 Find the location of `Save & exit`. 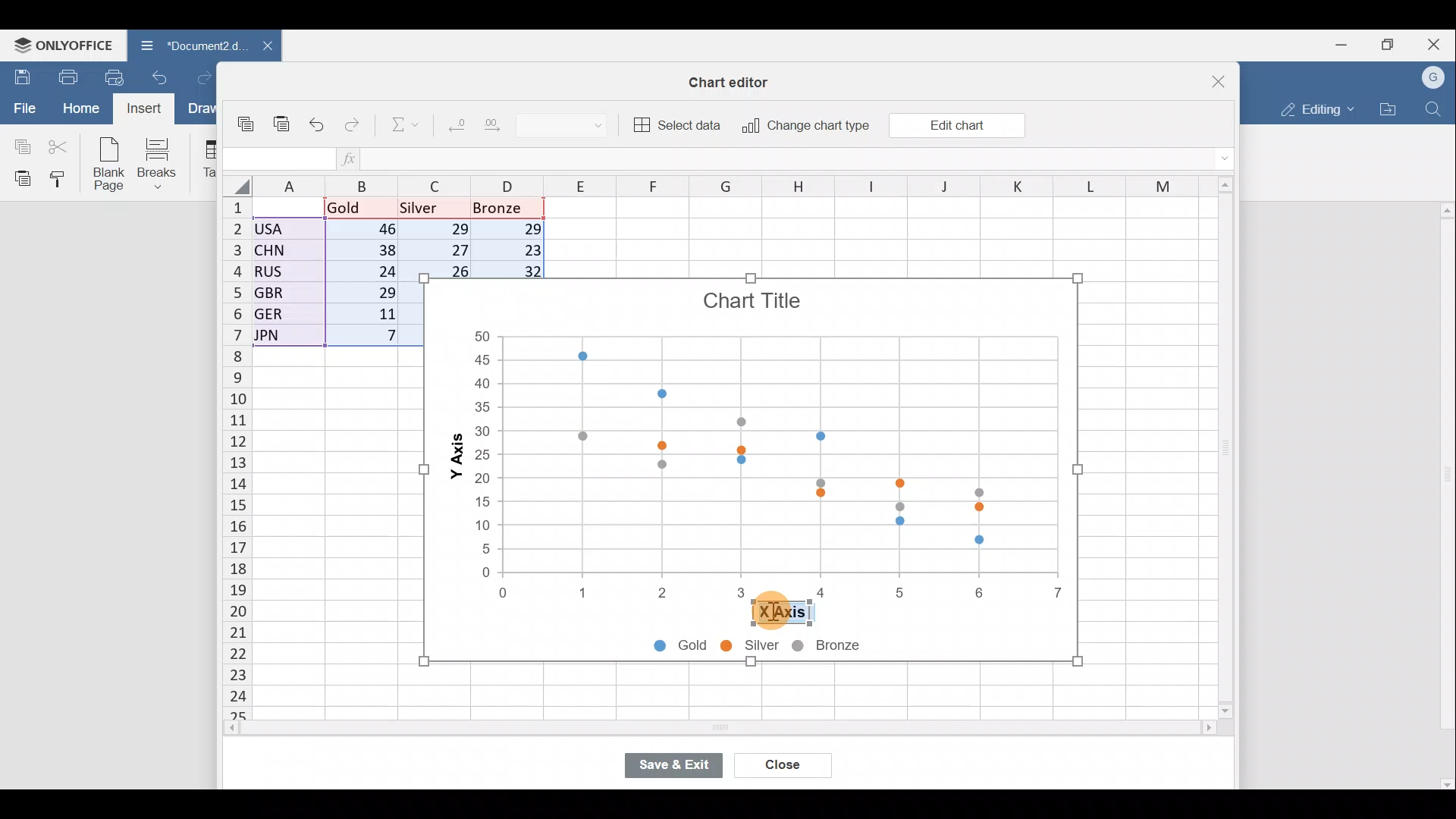

Save & exit is located at coordinates (679, 761).